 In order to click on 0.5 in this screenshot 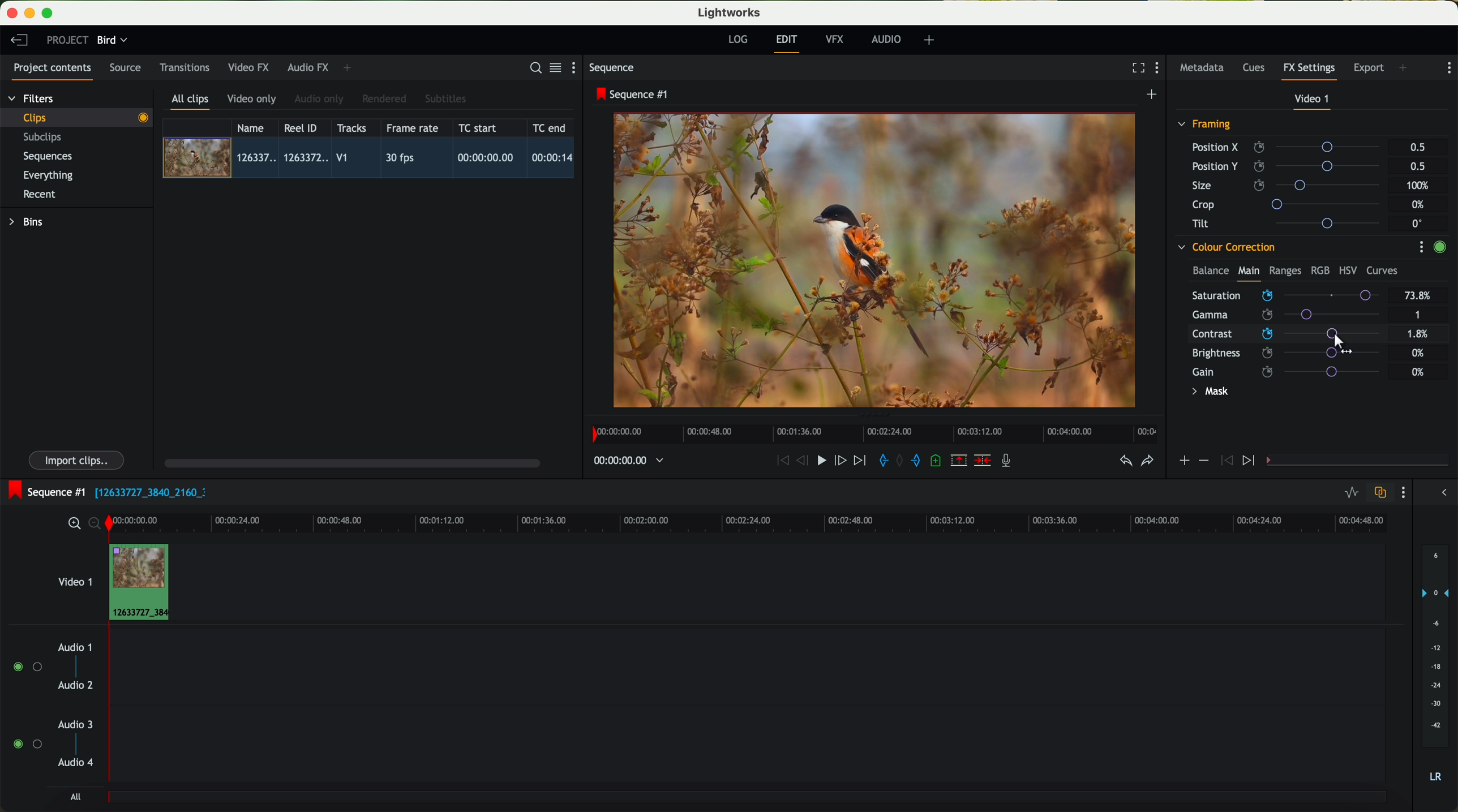, I will do `click(1418, 148)`.